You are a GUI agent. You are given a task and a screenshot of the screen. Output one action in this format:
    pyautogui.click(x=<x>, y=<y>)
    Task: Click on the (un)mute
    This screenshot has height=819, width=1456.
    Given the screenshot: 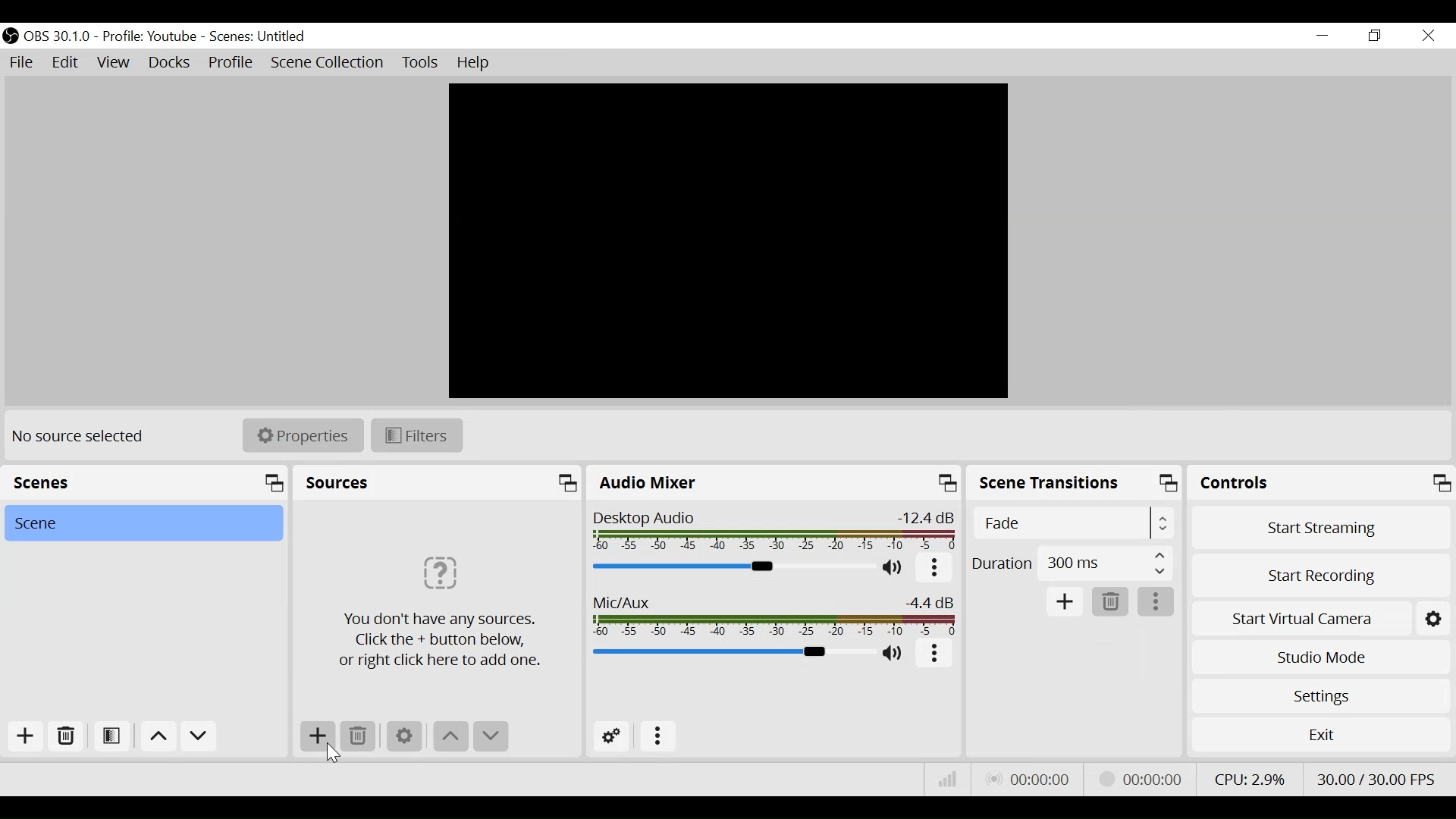 What is the action you would take?
    pyautogui.click(x=896, y=569)
    